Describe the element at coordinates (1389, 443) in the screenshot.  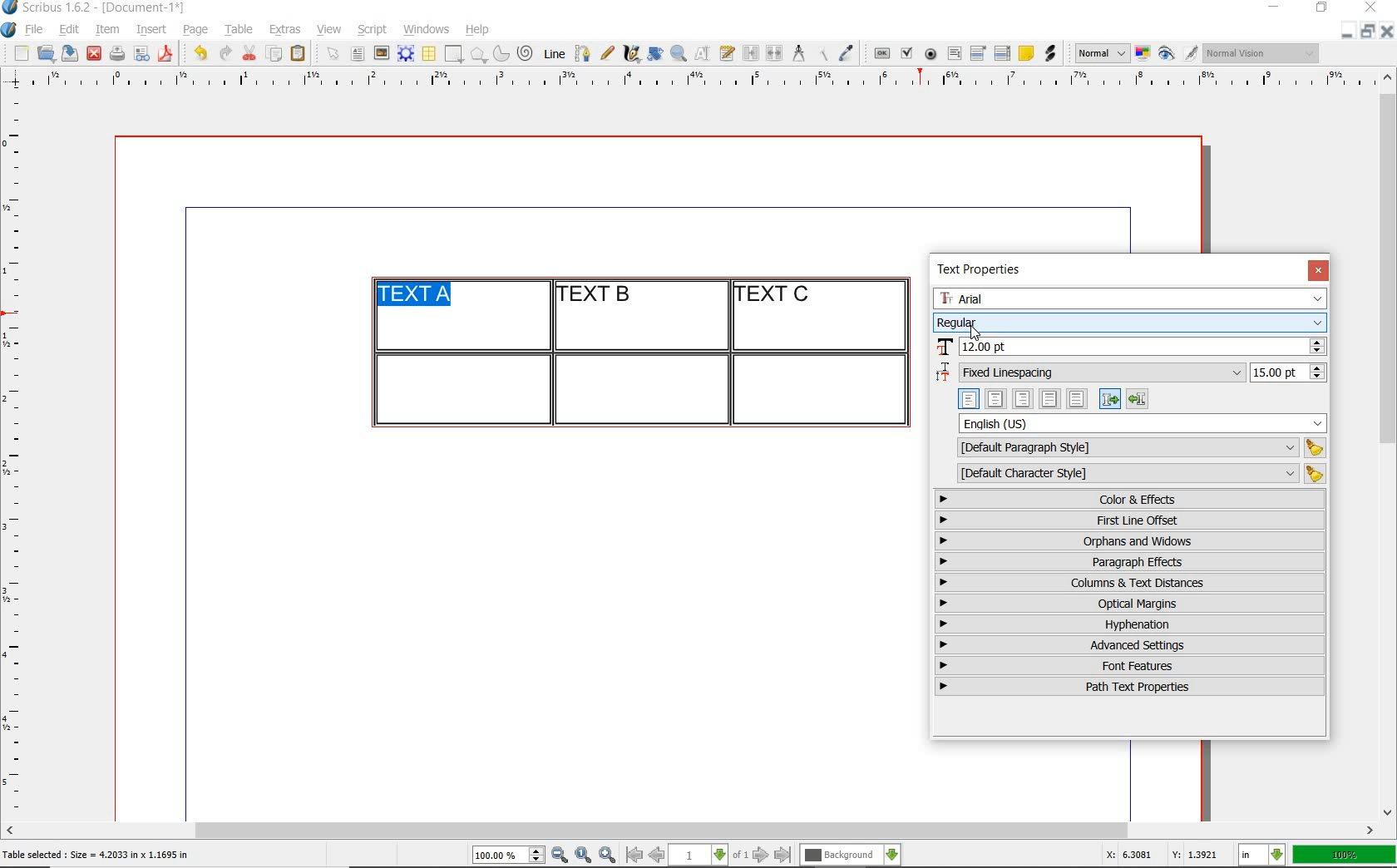
I see `scrollbar` at that location.